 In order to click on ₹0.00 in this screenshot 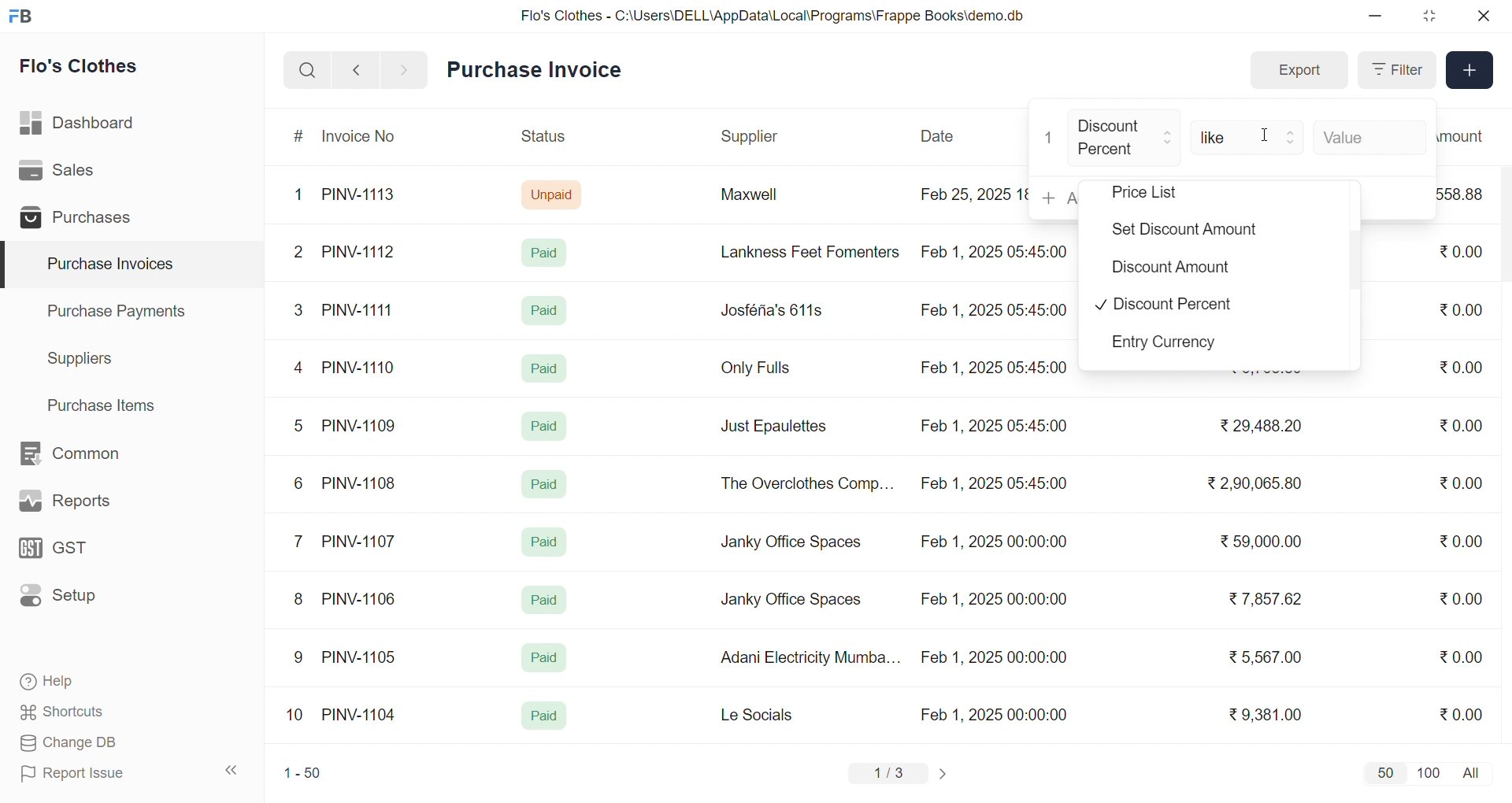, I will do `click(1463, 309)`.